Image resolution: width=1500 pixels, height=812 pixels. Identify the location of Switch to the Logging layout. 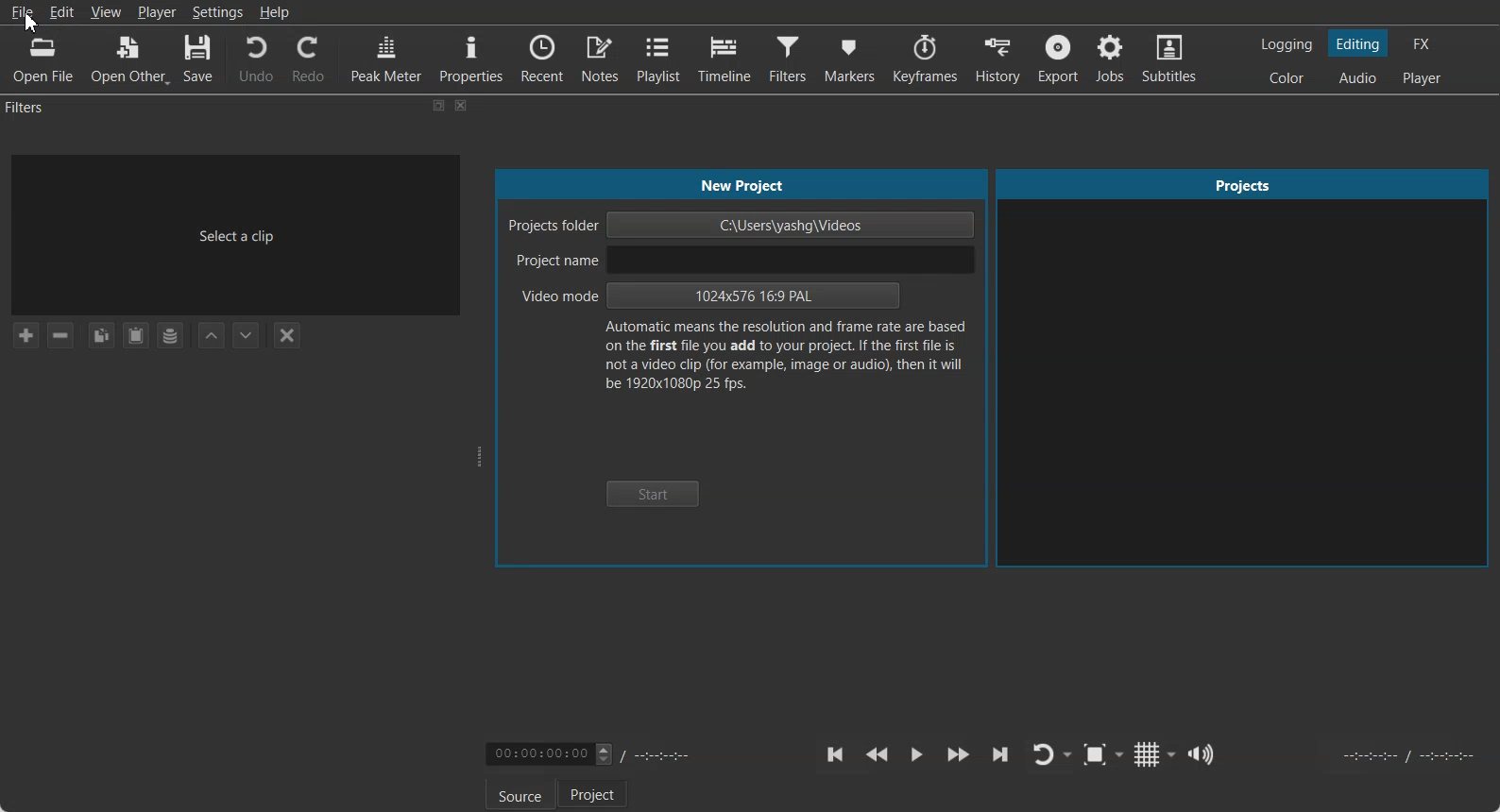
(1287, 44).